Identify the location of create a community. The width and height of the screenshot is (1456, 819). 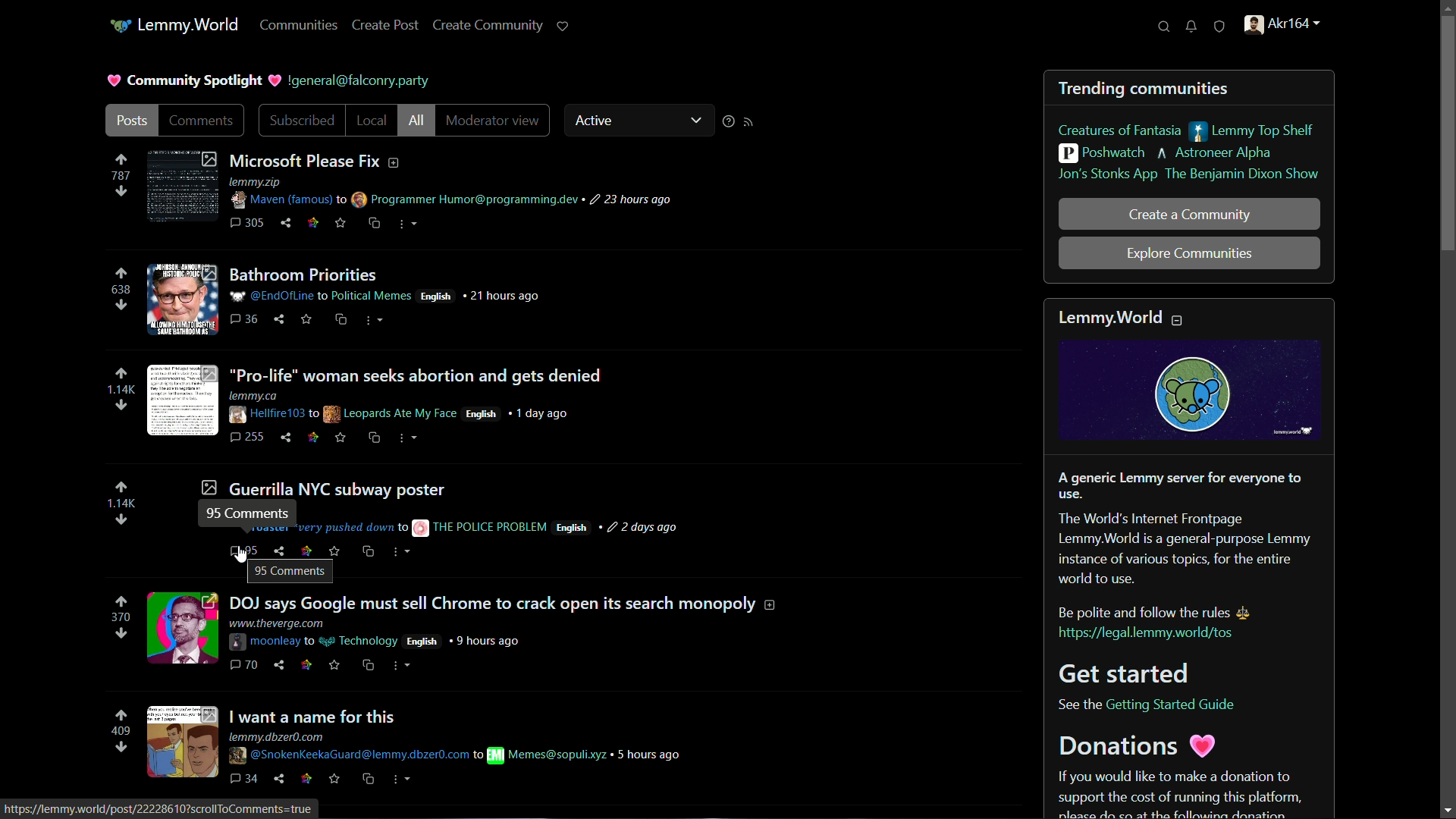
(1190, 215).